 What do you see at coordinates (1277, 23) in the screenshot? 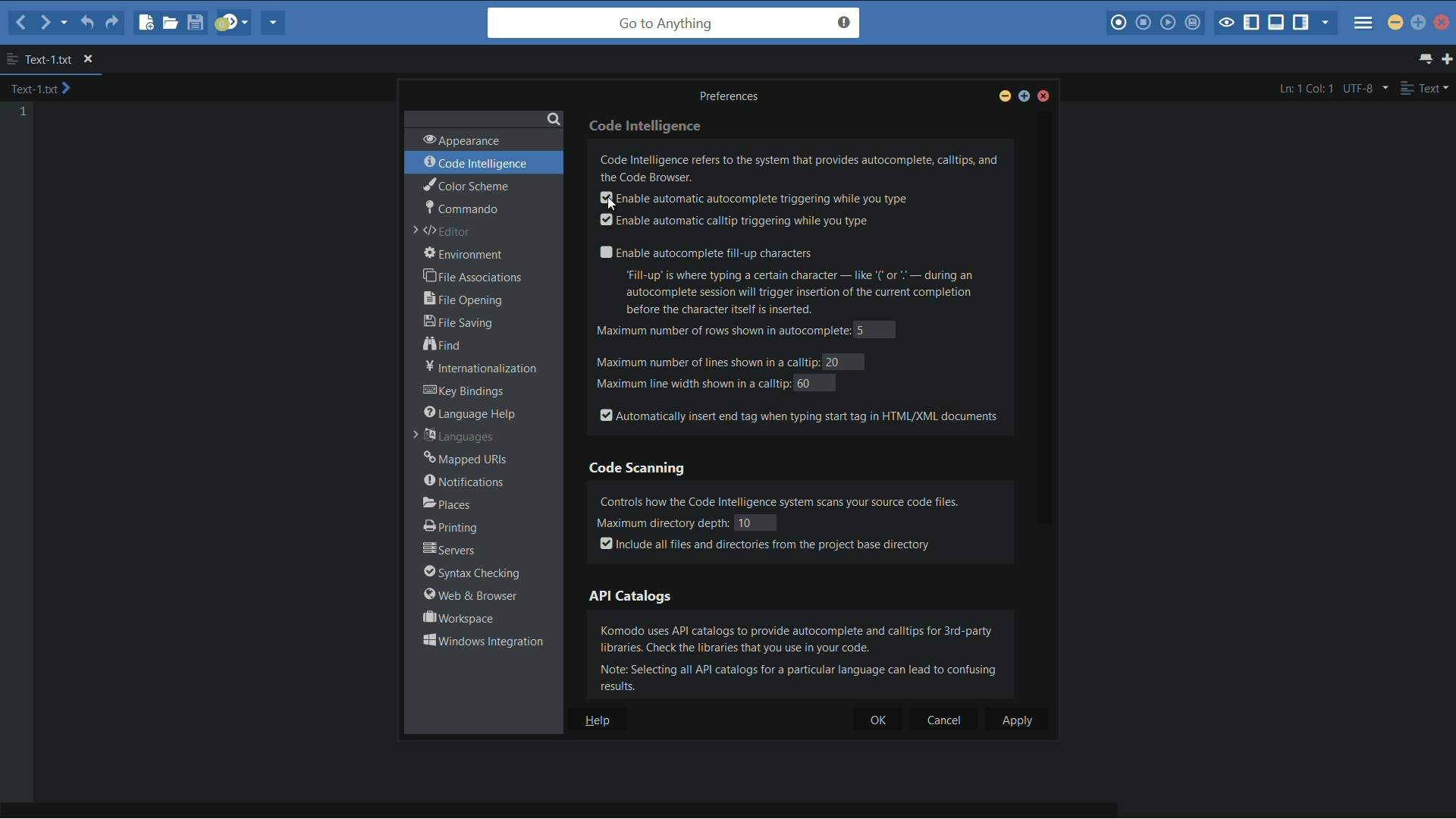
I see `show/hide bottom panel` at bounding box center [1277, 23].